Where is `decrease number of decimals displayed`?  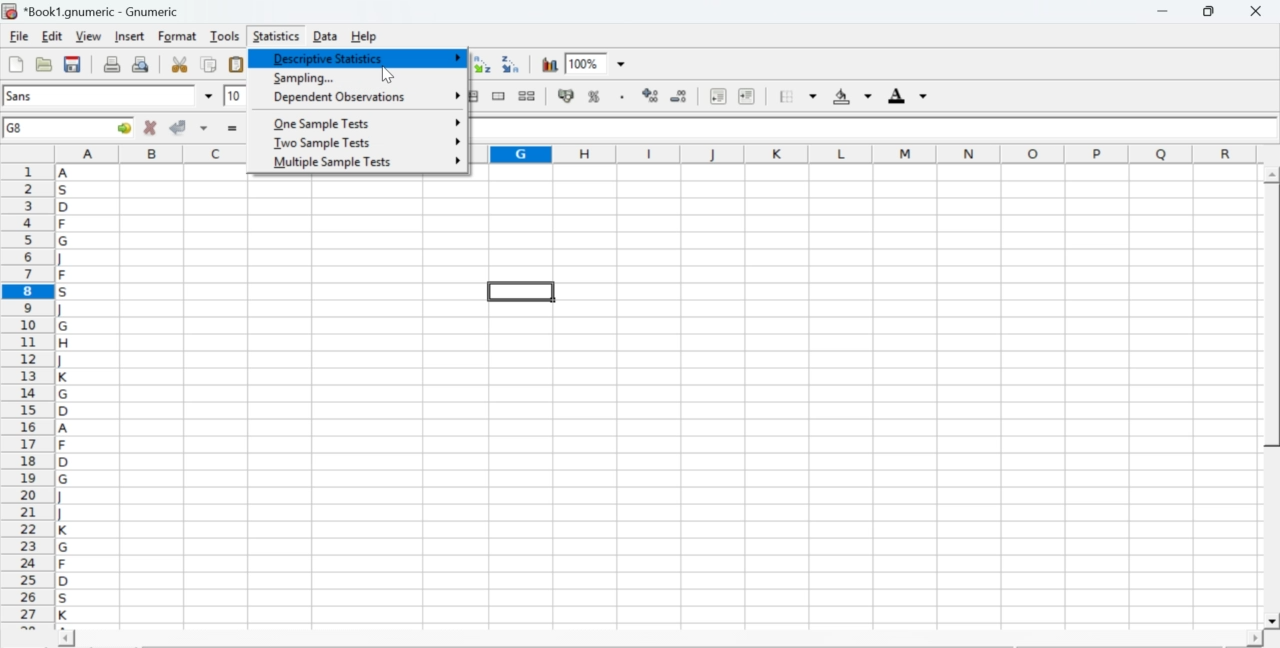
decrease number of decimals displayed is located at coordinates (650, 96).